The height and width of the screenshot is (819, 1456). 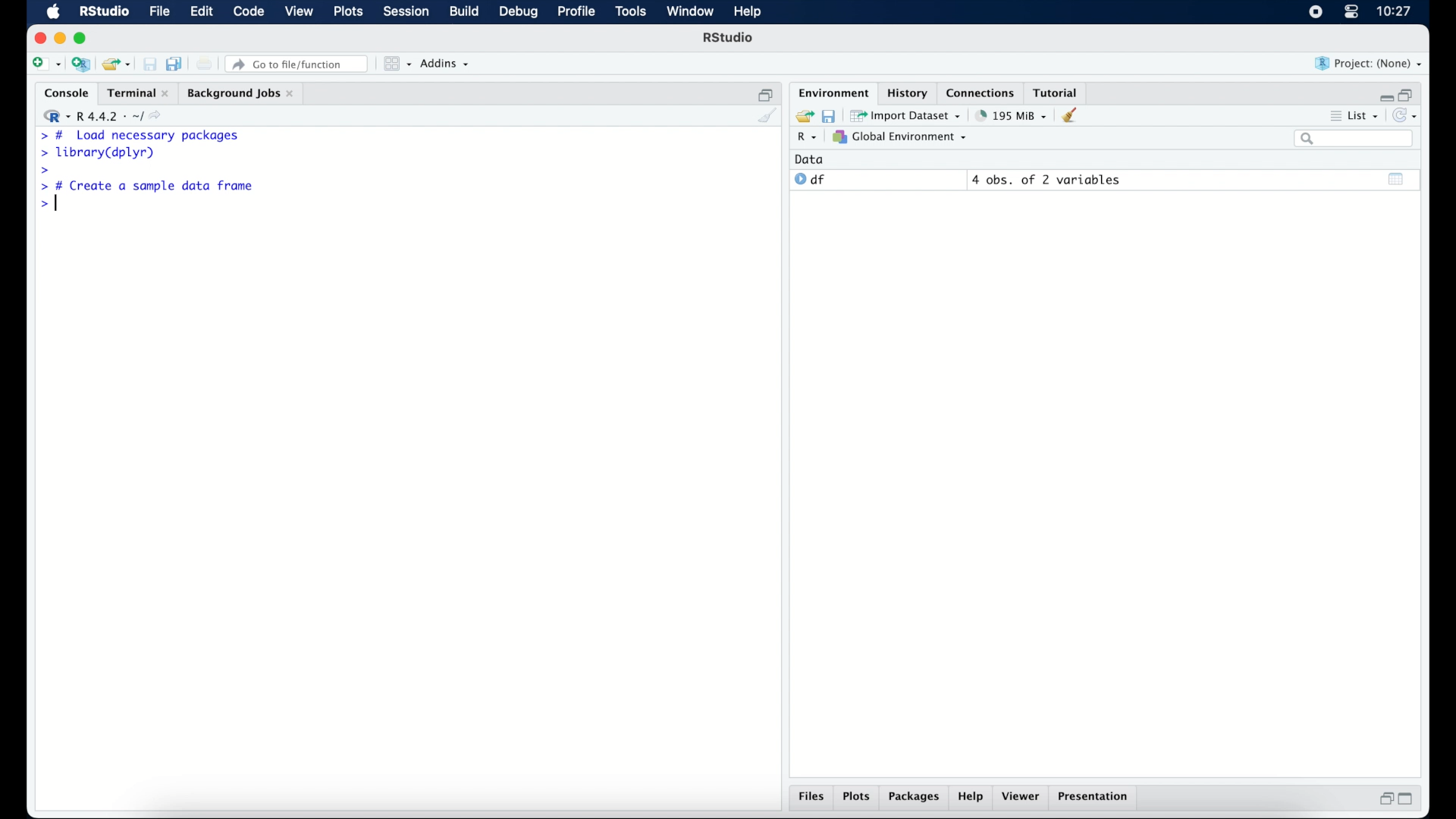 I want to click on restore down, so click(x=1384, y=800).